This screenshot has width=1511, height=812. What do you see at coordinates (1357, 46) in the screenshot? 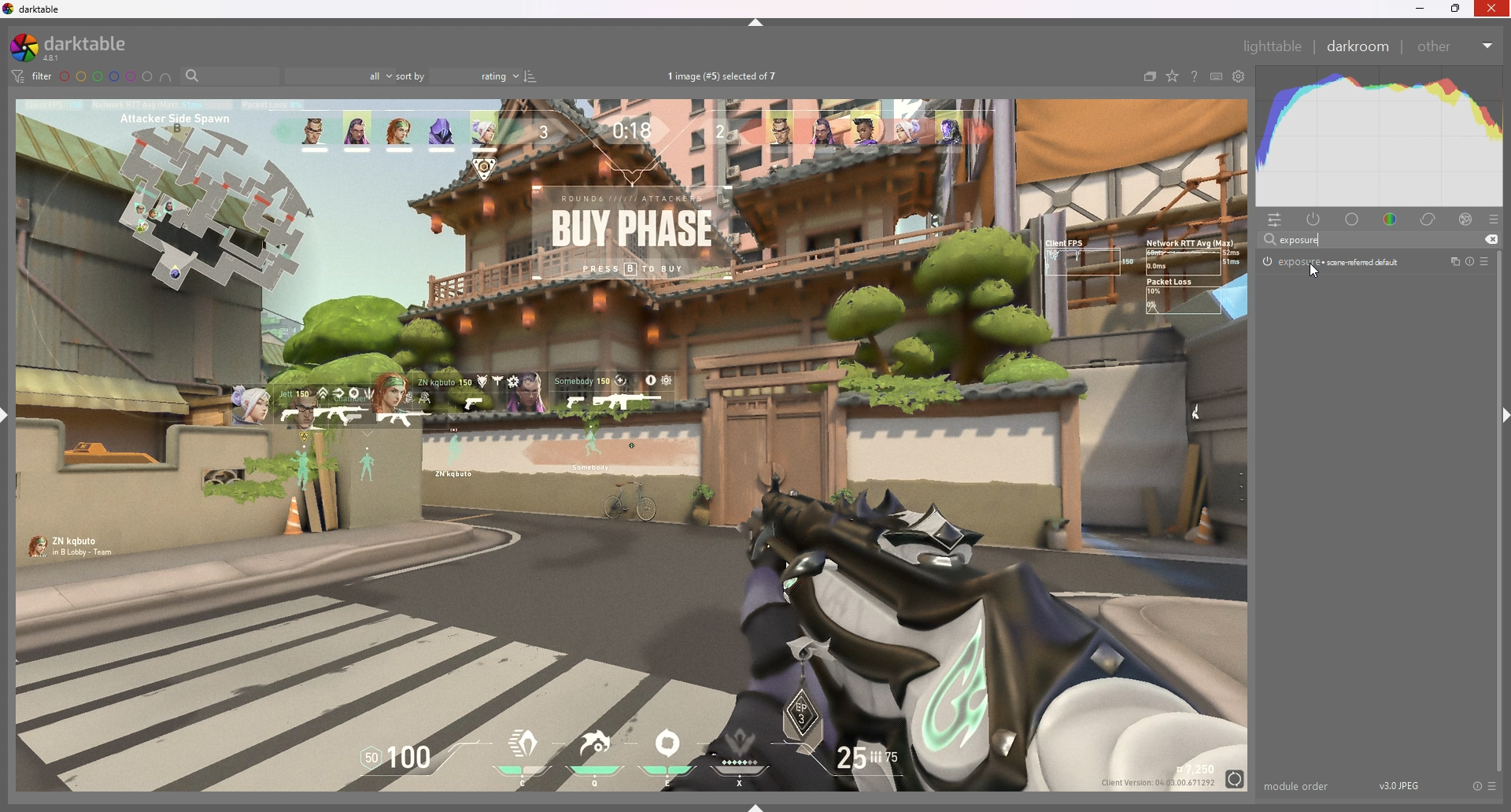
I see `darkroom` at bounding box center [1357, 46].